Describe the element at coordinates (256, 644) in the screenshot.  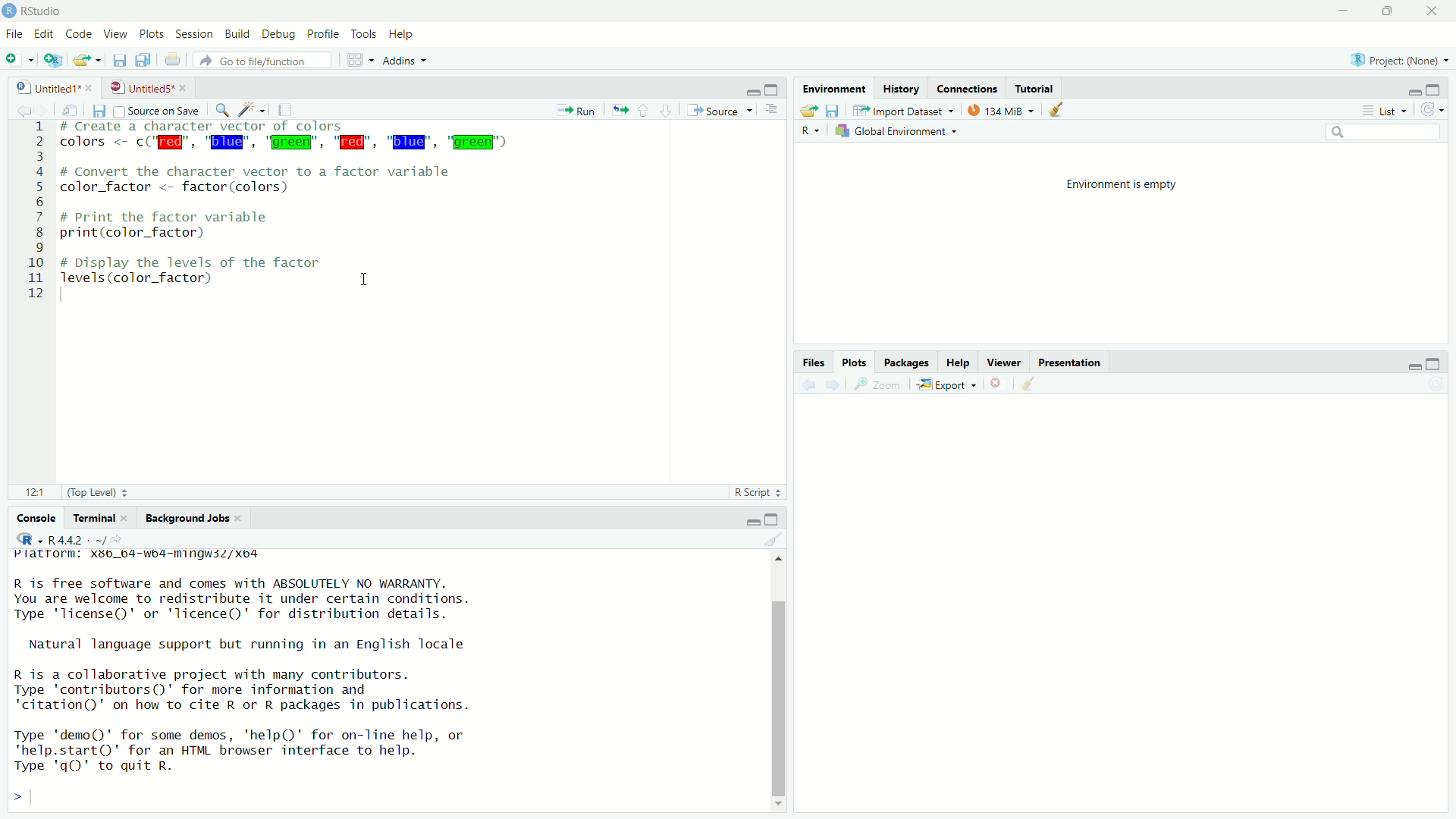
I see `Natural language support but running in an English locale` at that location.